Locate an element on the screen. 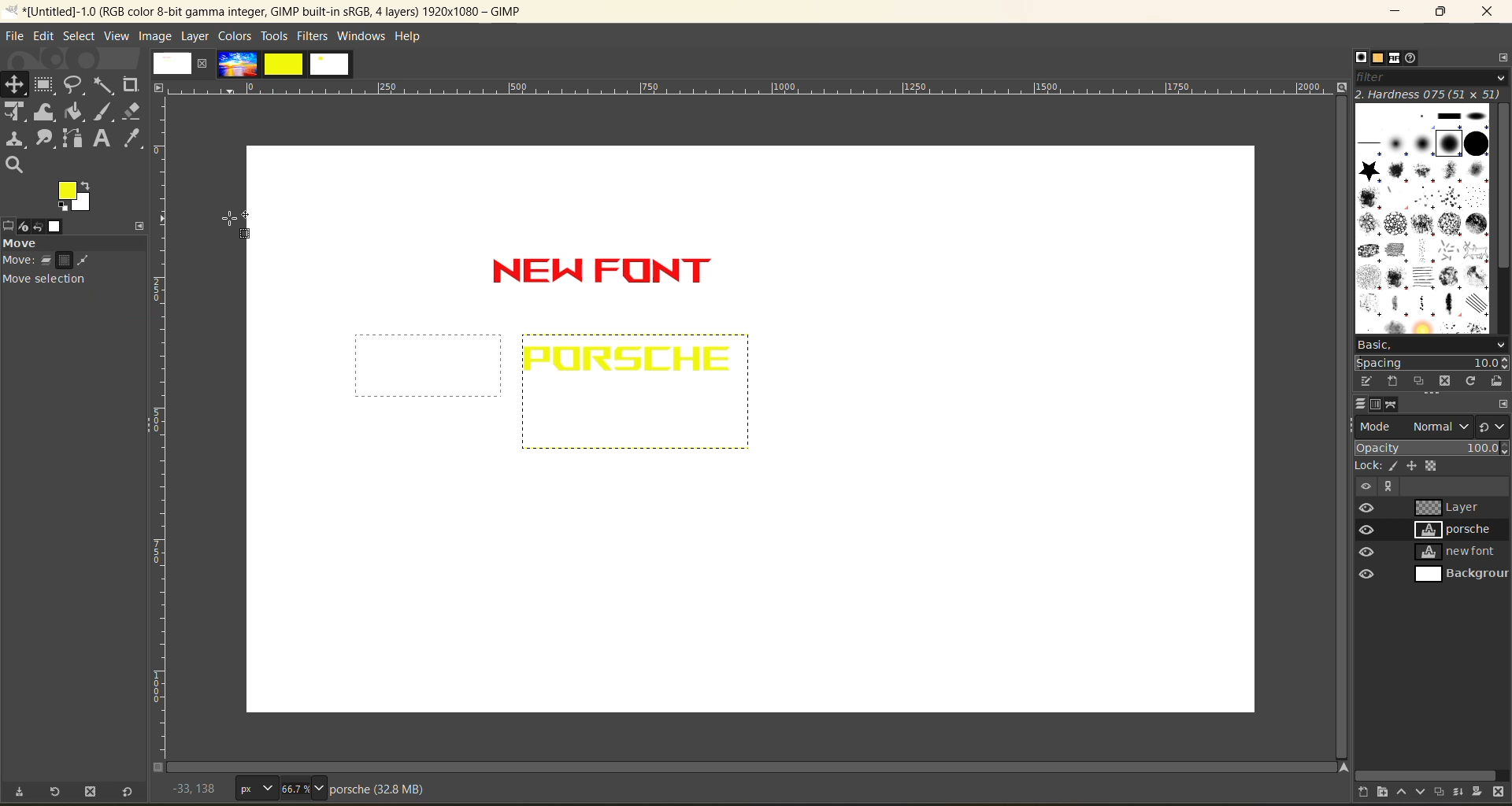  duplicate this brush is located at coordinates (1410, 380).